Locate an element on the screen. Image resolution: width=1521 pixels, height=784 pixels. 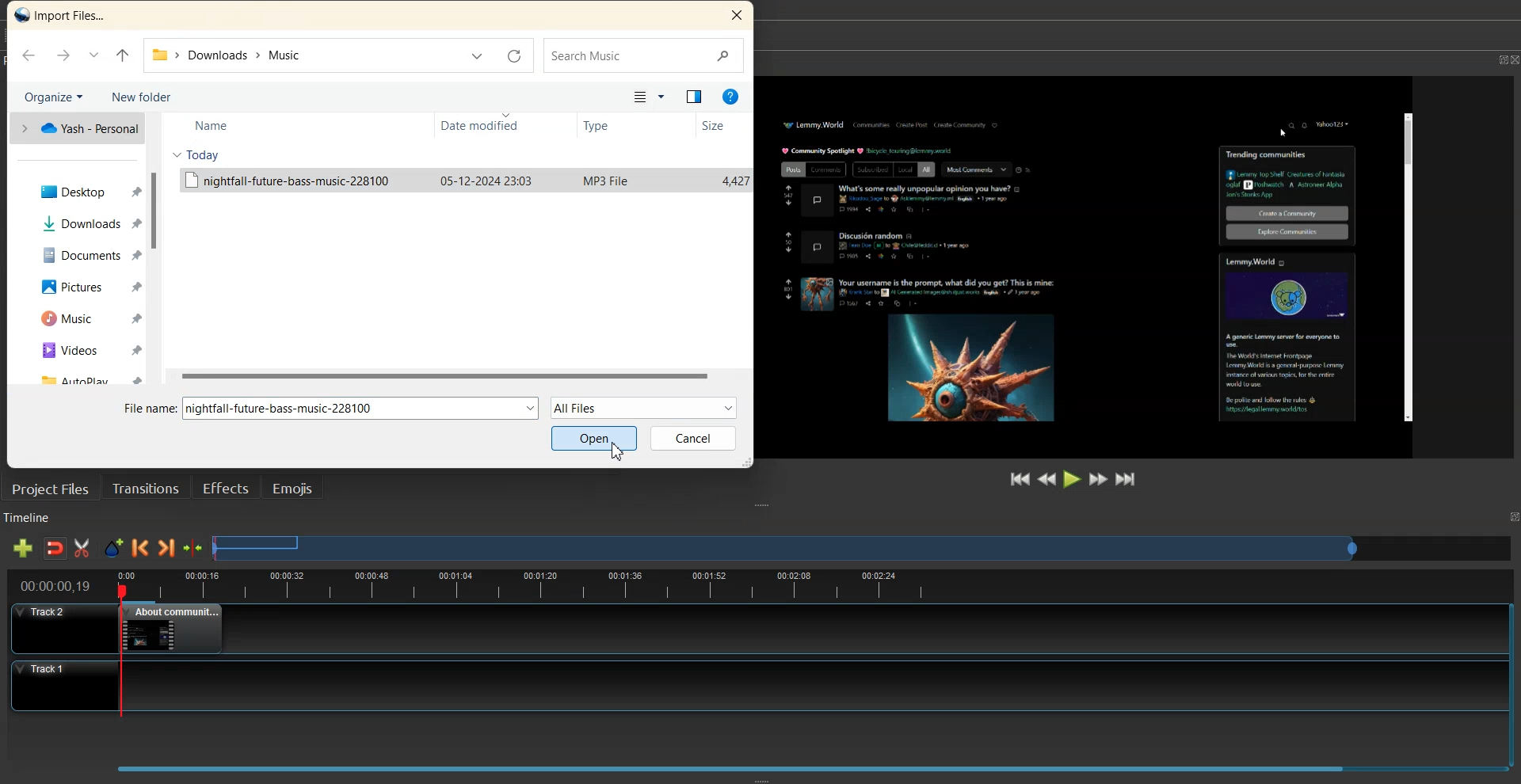
Maximize is located at coordinates (1511, 517).